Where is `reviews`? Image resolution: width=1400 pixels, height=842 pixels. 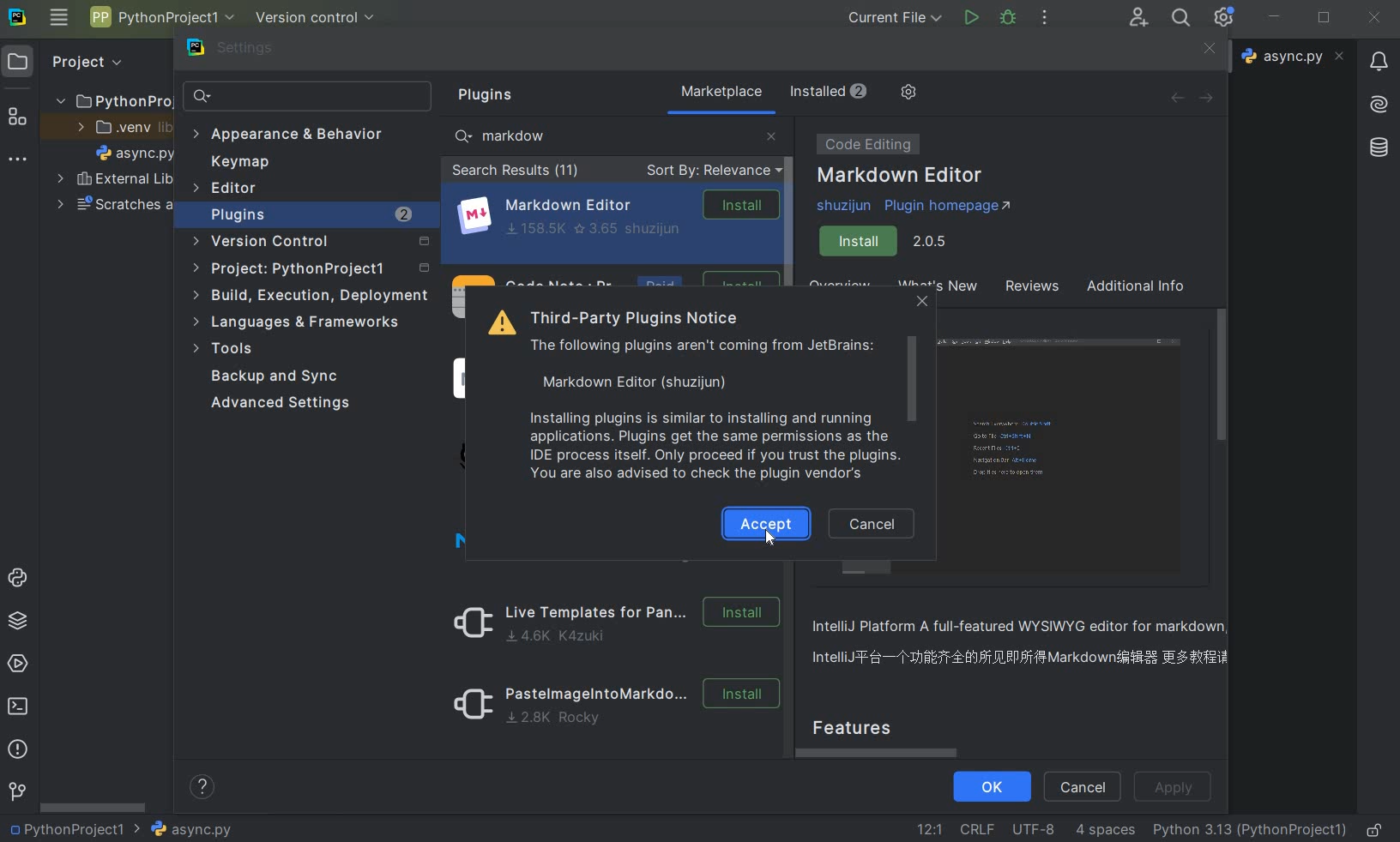
reviews is located at coordinates (1029, 289).